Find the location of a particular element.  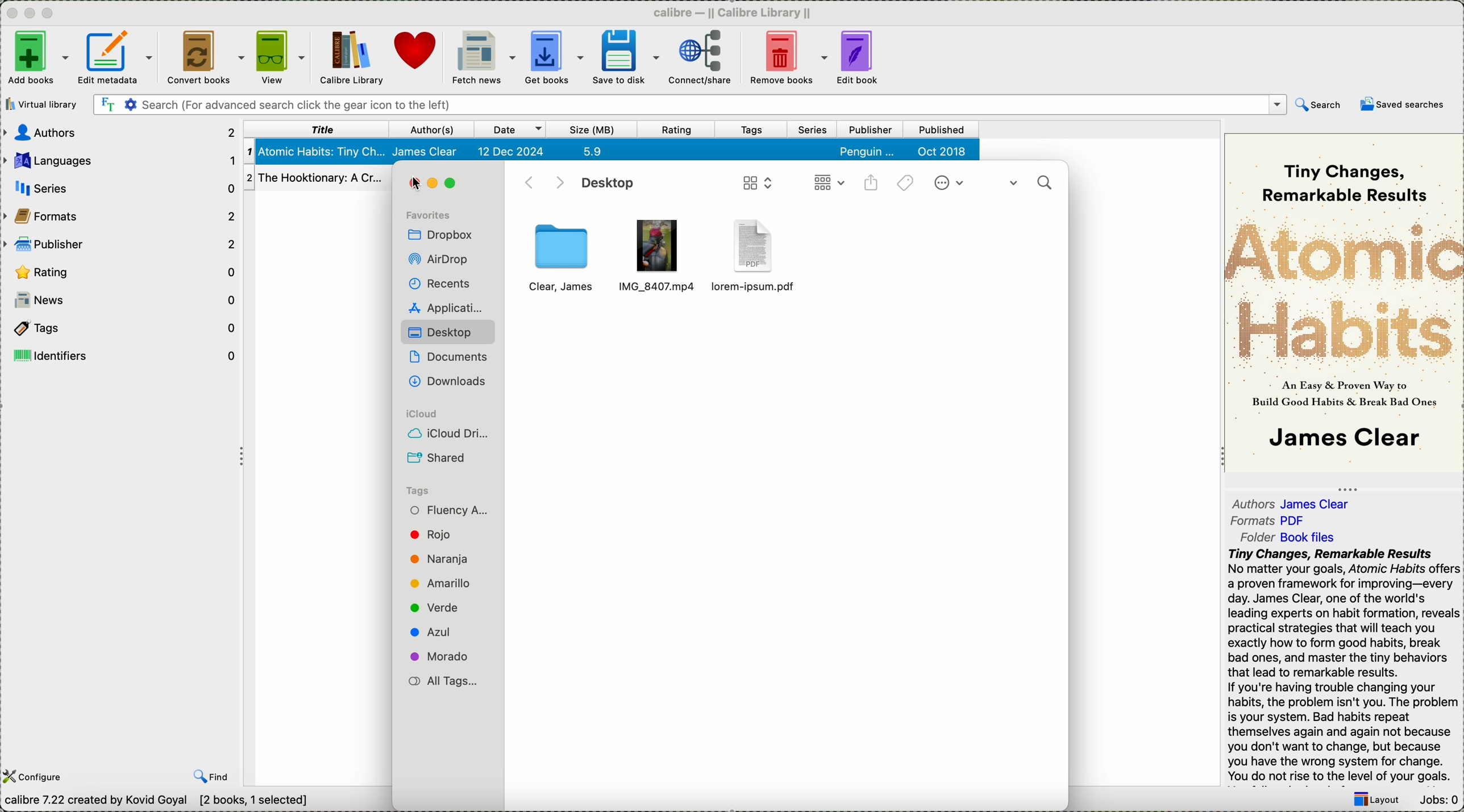

tag is located at coordinates (446, 509).